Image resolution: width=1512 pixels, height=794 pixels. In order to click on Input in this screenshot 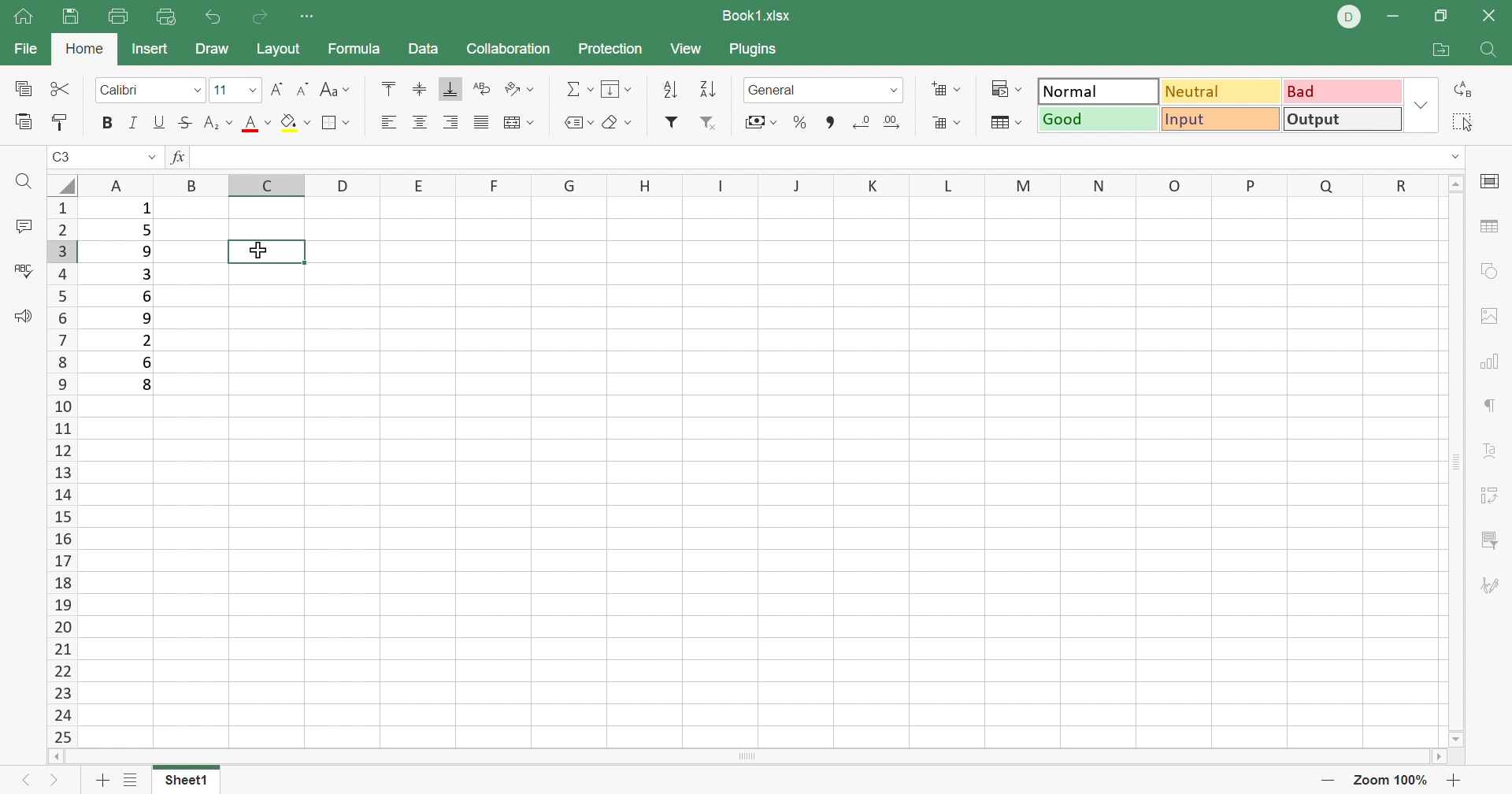, I will do `click(1220, 119)`.